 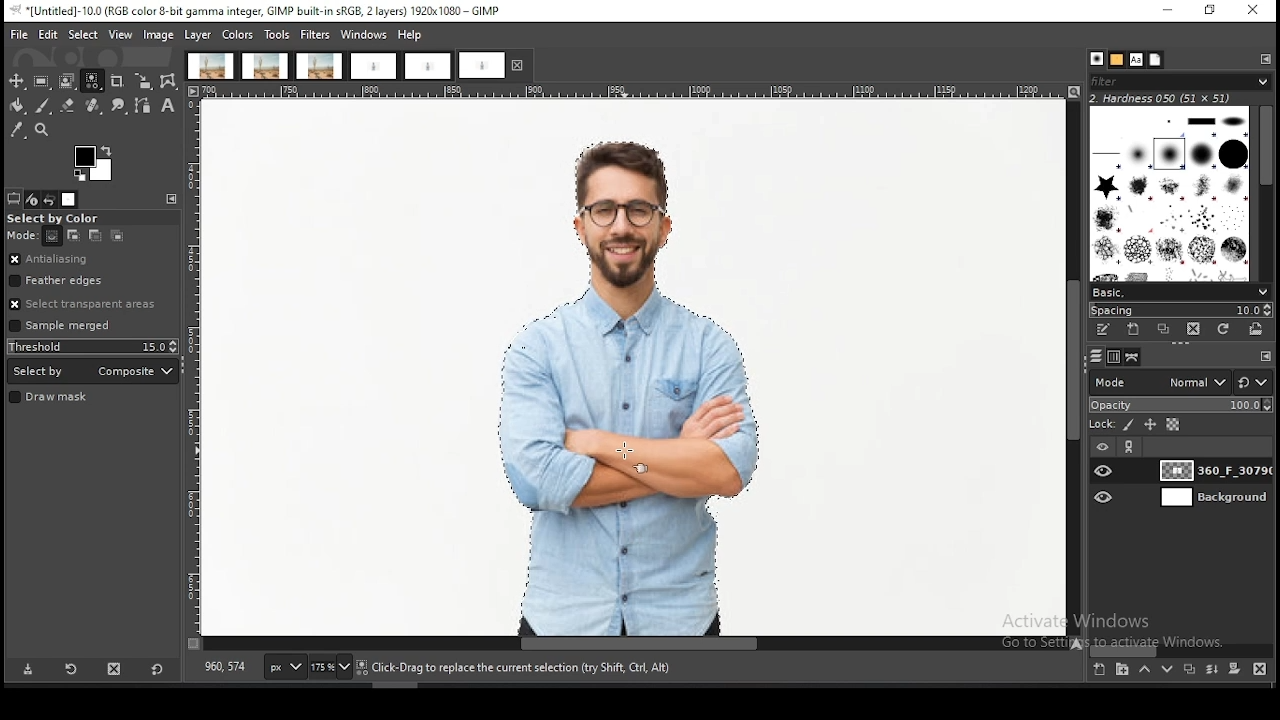 What do you see at coordinates (93, 371) in the screenshot?
I see `select by` at bounding box center [93, 371].